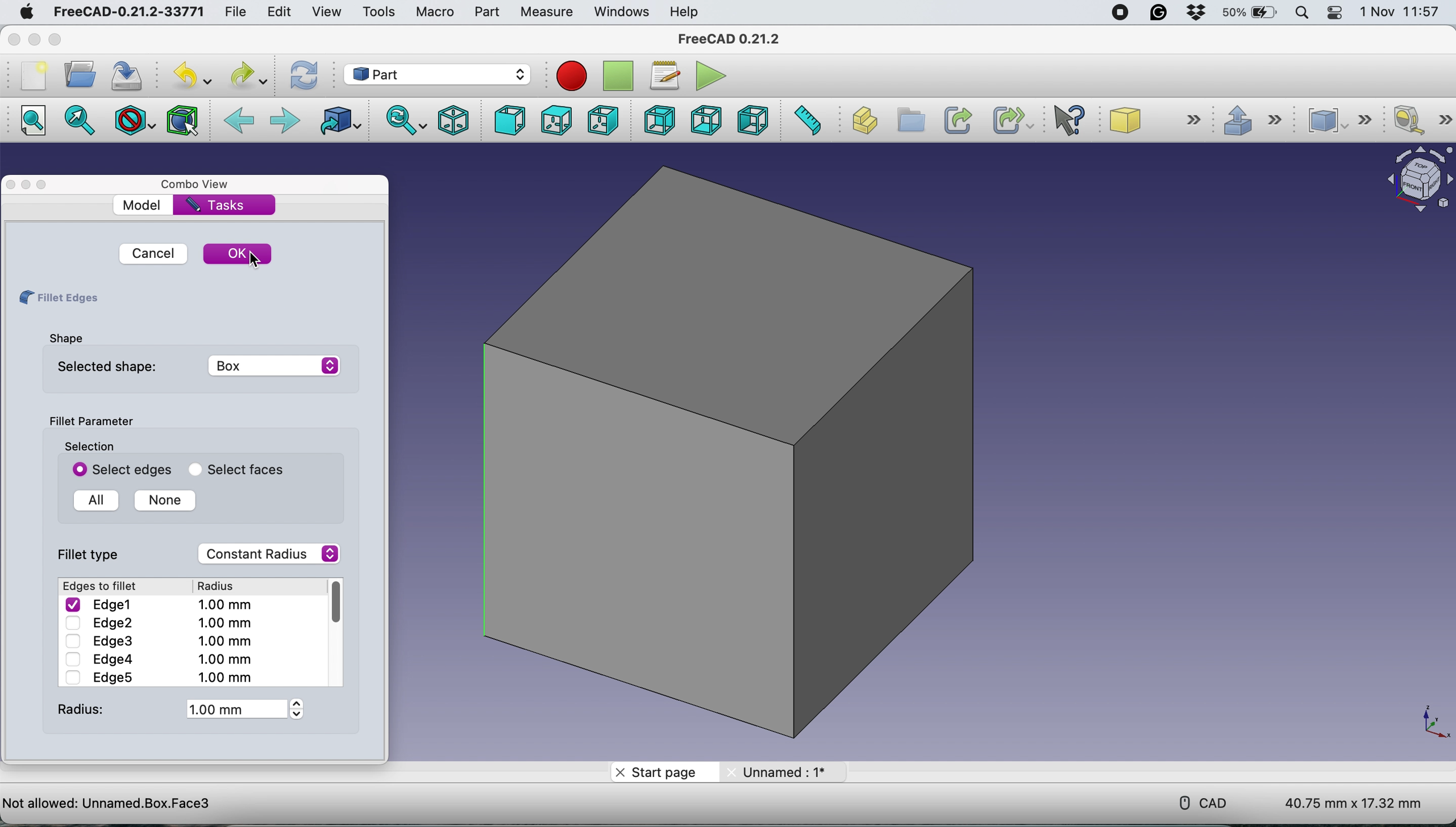 The image size is (1456, 827). What do you see at coordinates (1118, 13) in the screenshot?
I see `screen recorder` at bounding box center [1118, 13].